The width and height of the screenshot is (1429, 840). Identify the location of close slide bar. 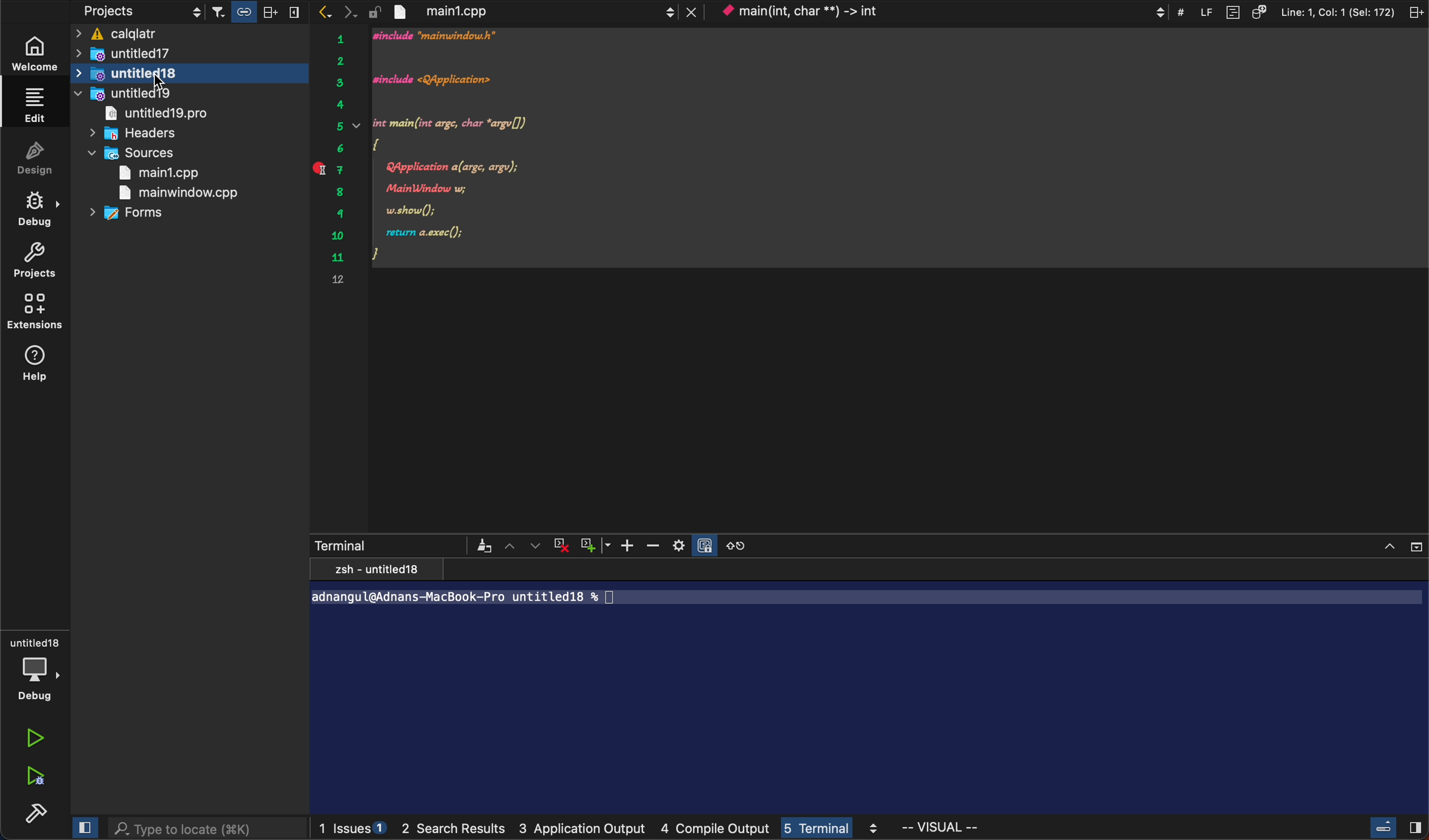
(83, 828).